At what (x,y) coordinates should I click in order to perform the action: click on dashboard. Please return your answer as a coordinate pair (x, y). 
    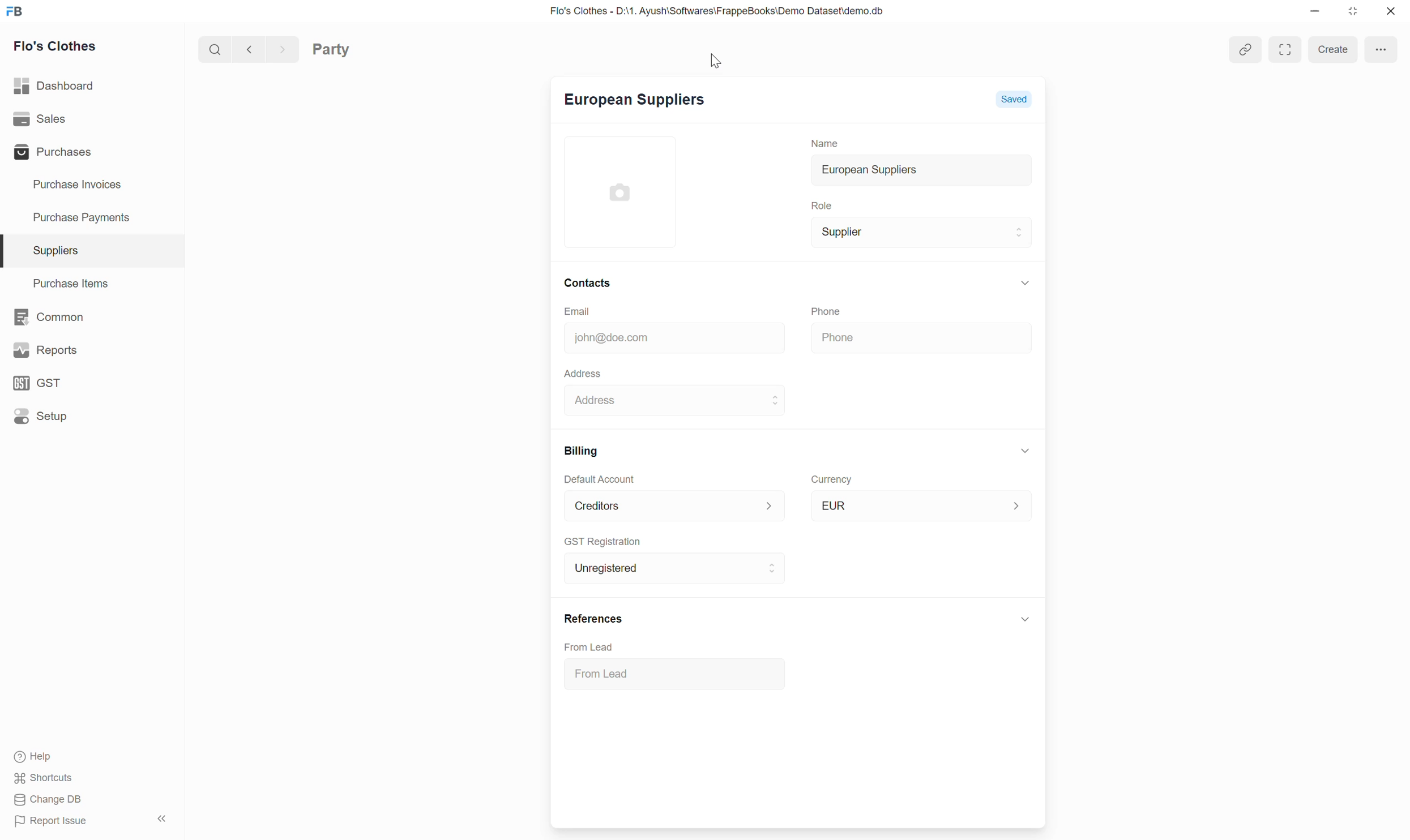
    Looking at the image, I should click on (55, 87).